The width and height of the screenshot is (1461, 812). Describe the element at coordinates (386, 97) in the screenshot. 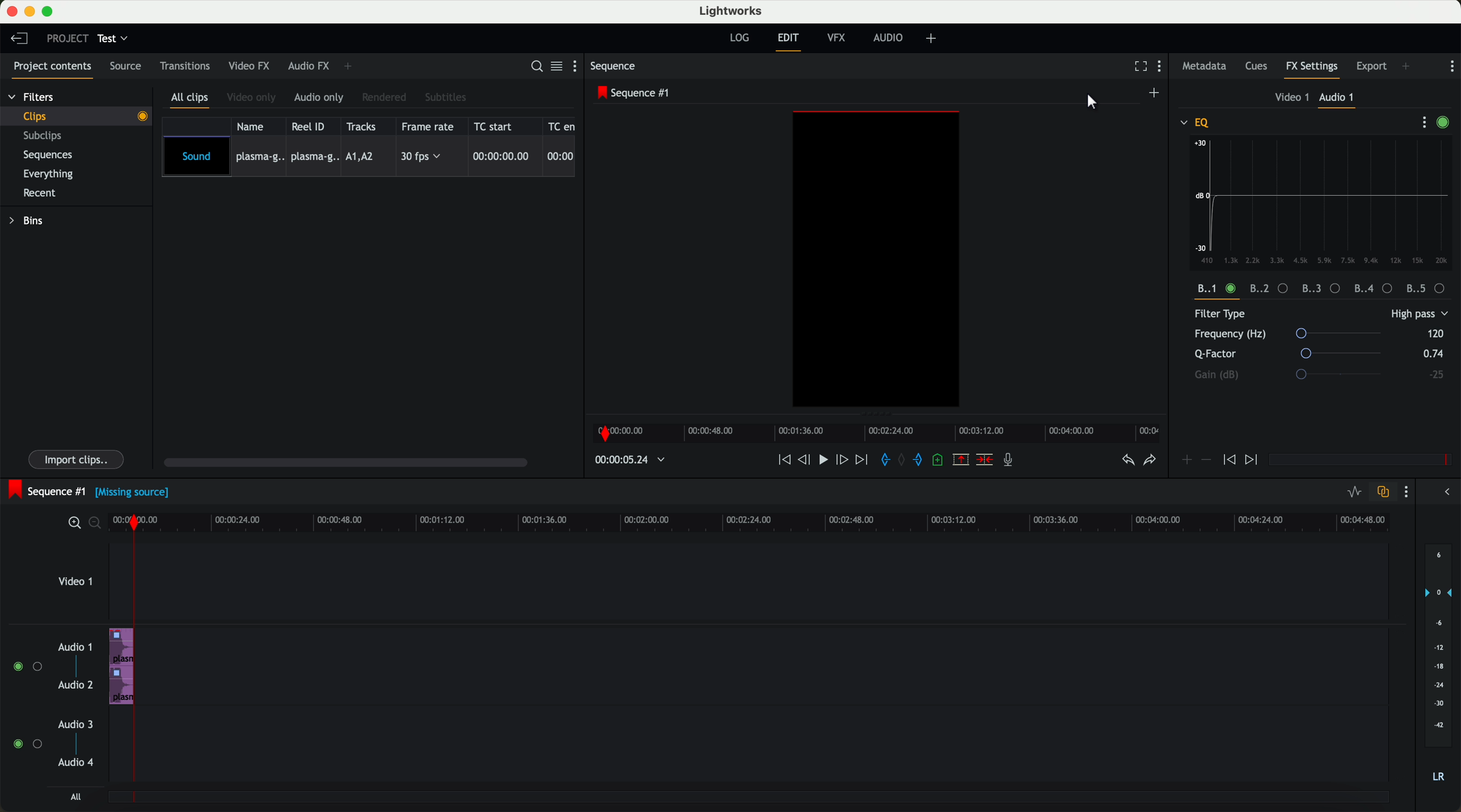

I see `rendered` at that location.